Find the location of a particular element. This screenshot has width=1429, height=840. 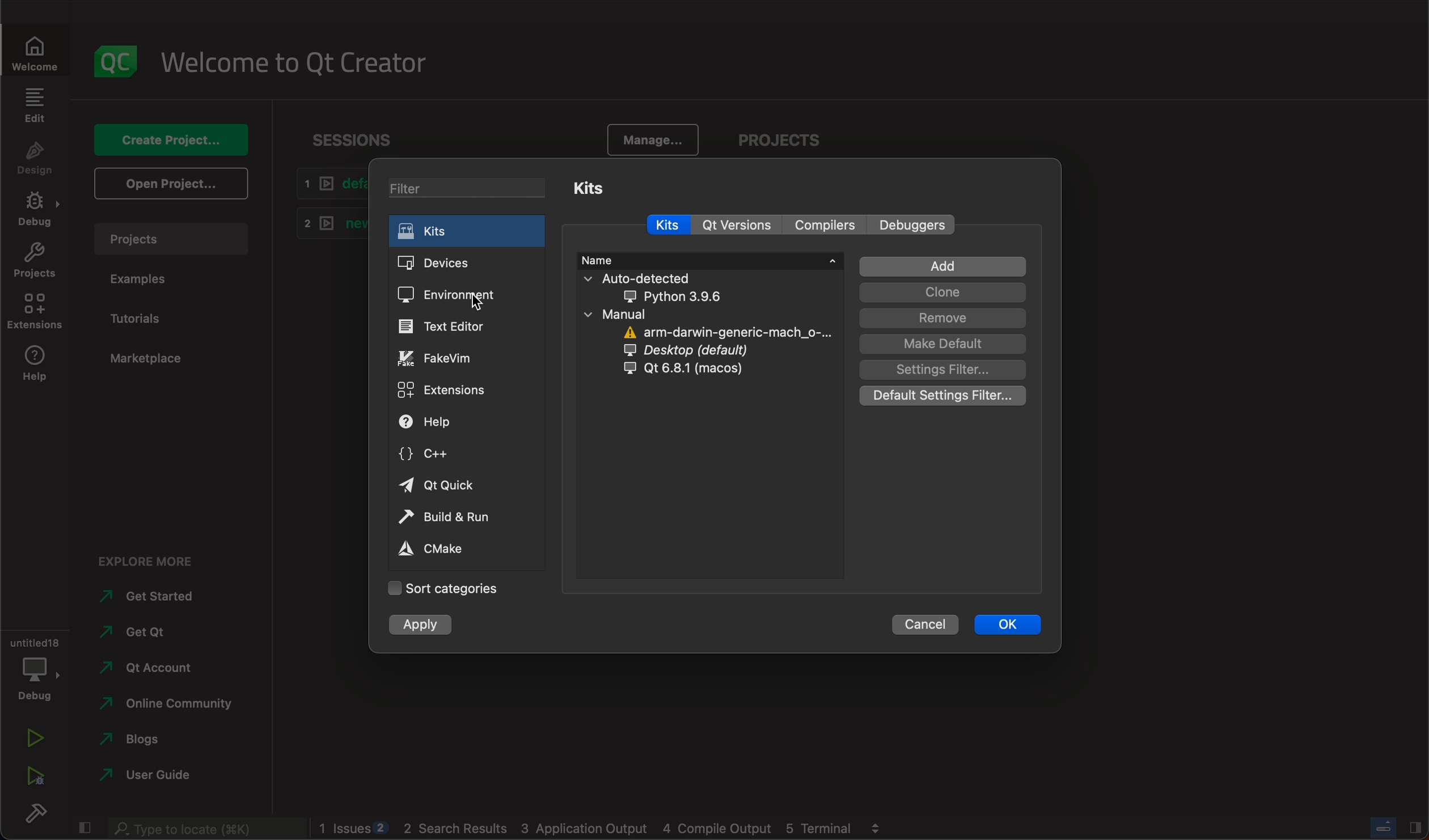

started is located at coordinates (153, 596).